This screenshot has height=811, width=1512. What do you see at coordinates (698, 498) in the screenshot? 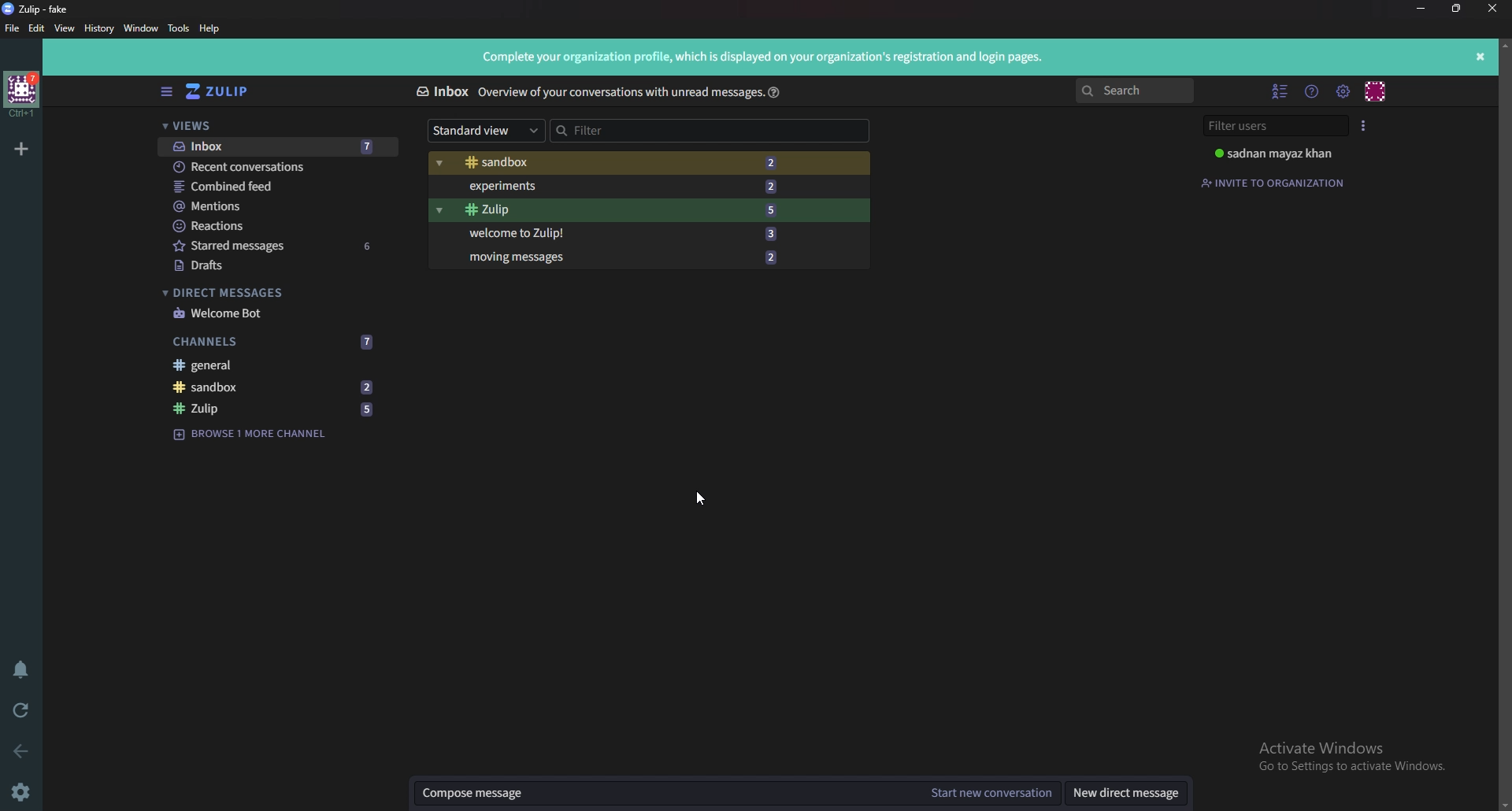
I see `cursor` at bounding box center [698, 498].